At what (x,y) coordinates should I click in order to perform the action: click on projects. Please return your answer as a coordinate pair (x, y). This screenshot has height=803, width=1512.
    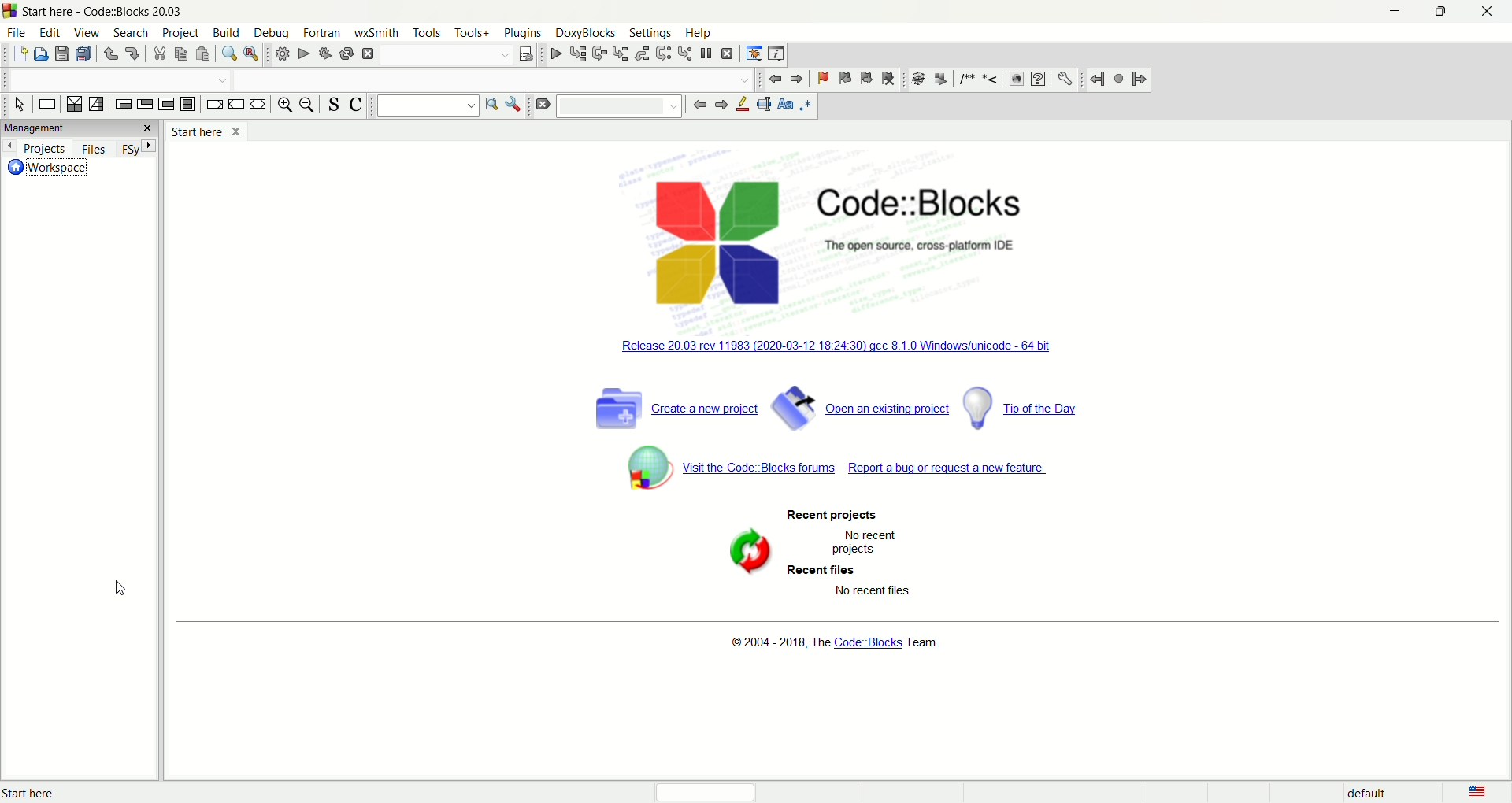
    Looking at the image, I should click on (36, 148).